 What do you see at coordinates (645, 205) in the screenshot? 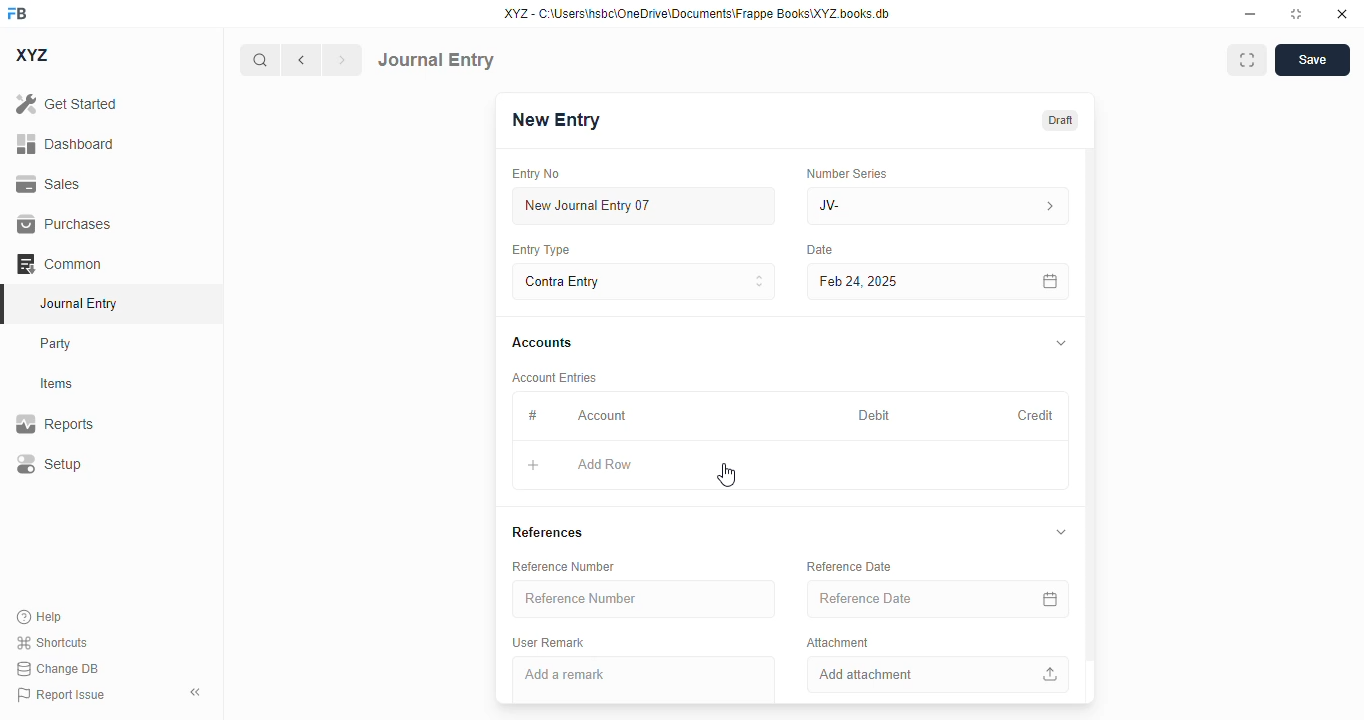
I see `new journal entry 07` at bounding box center [645, 205].